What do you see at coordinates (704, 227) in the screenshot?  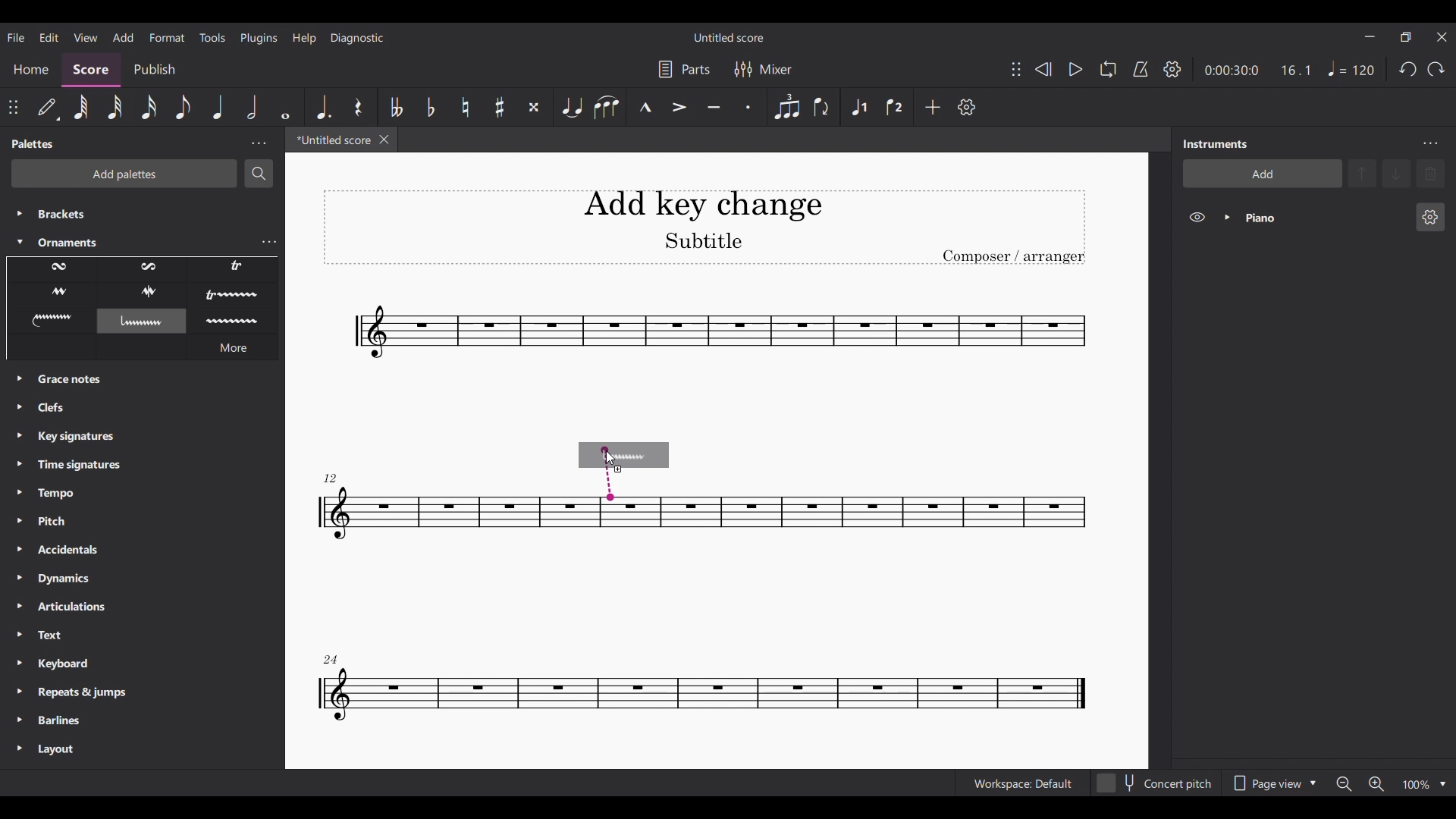 I see `Title, sub-title and composer name` at bounding box center [704, 227].